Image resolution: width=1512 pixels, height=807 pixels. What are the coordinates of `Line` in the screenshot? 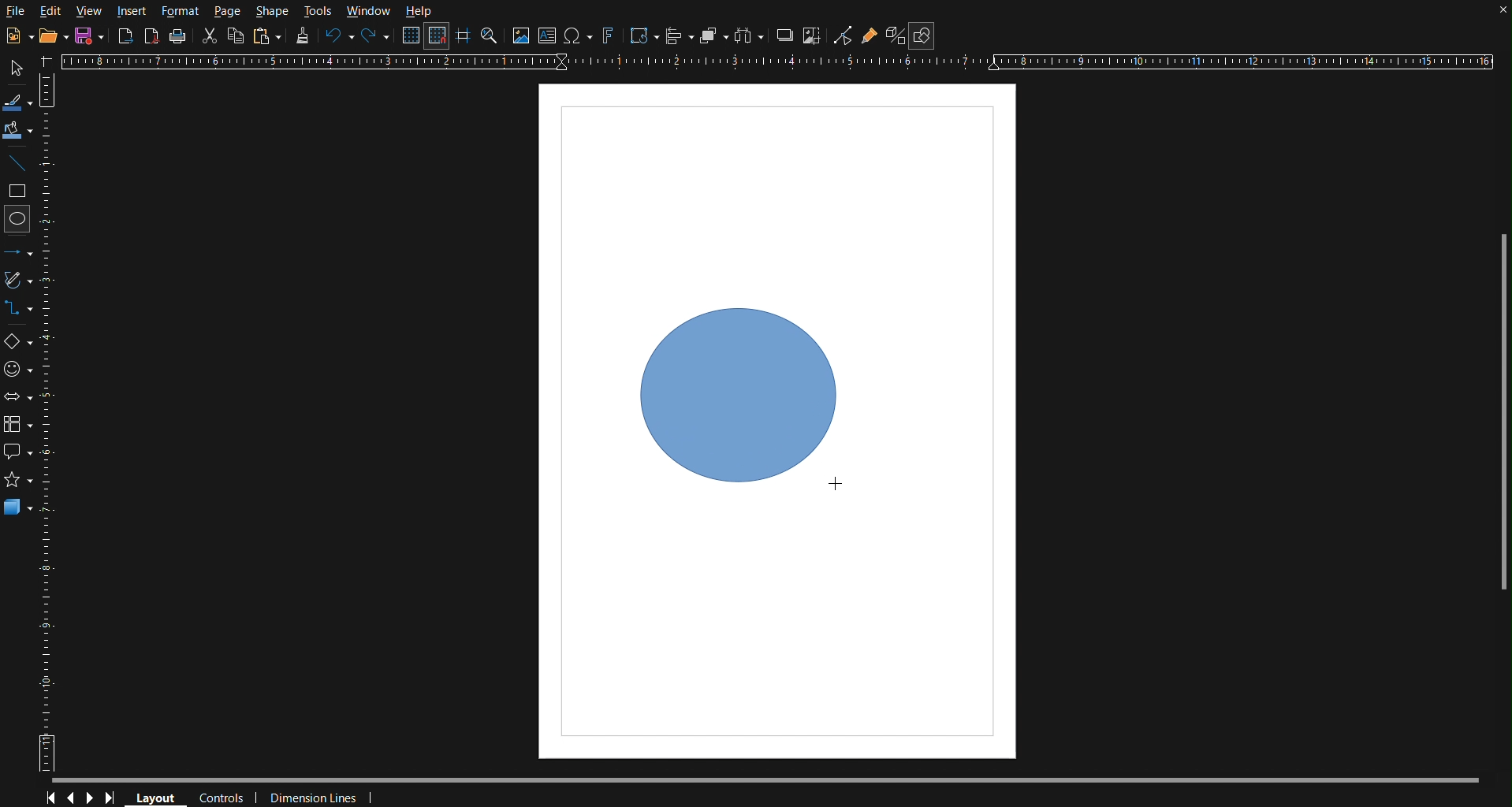 It's located at (20, 164).